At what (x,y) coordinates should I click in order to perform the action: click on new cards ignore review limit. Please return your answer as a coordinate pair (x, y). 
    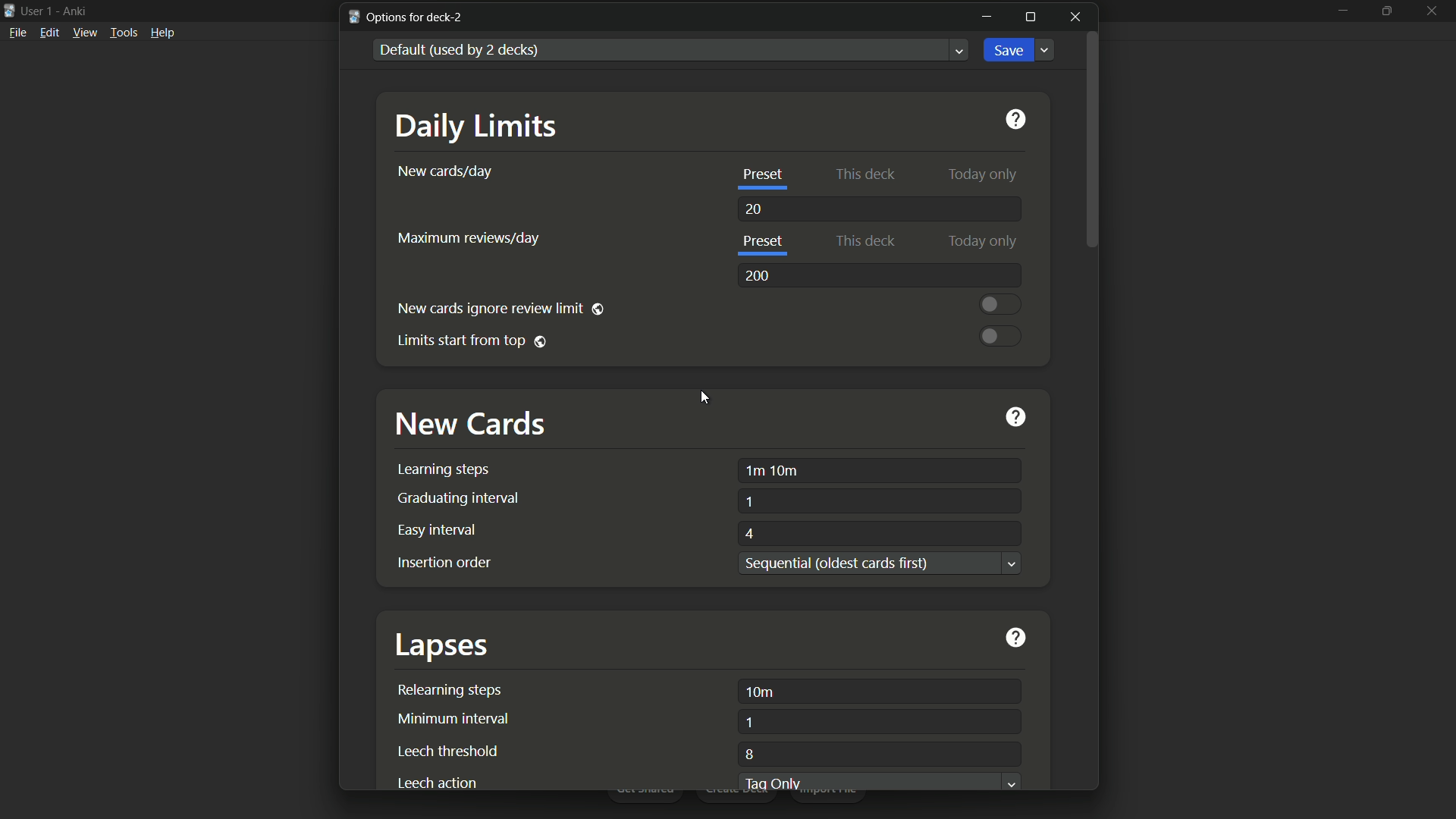
    Looking at the image, I should click on (501, 309).